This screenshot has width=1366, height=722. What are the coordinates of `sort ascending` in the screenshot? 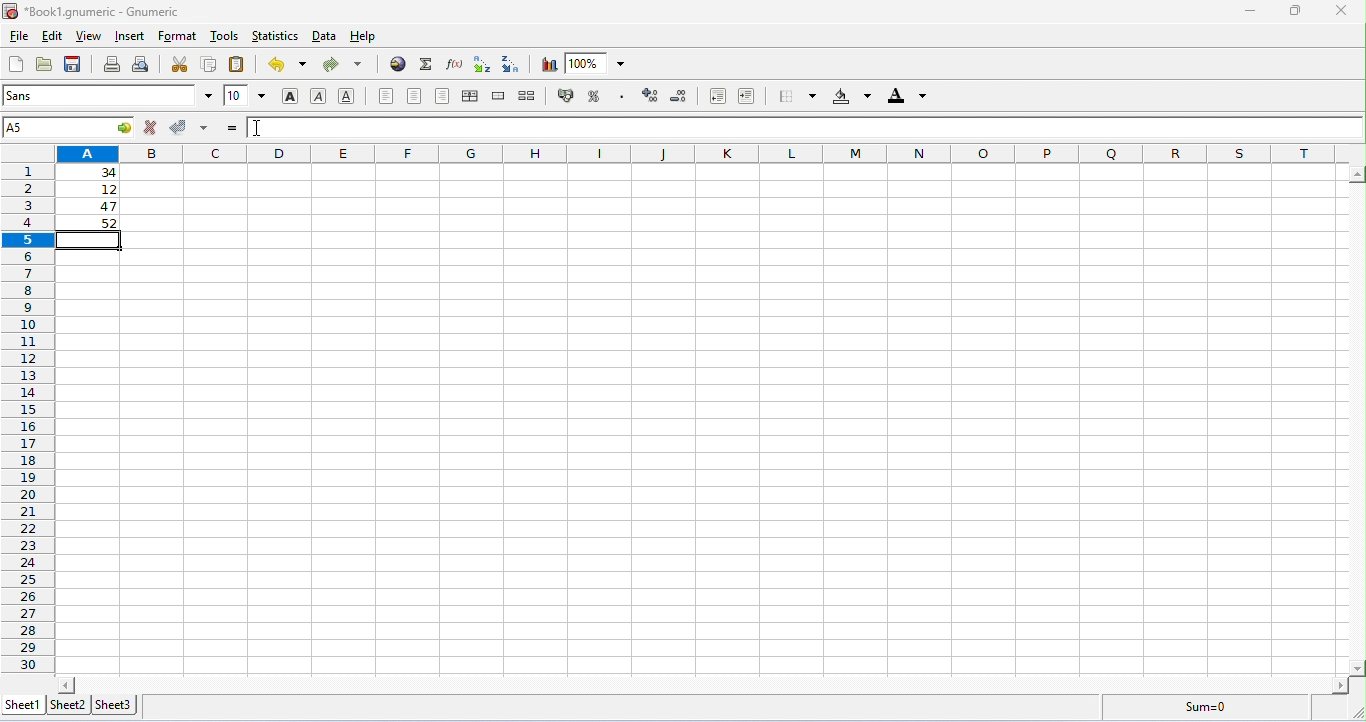 It's located at (482, 64).